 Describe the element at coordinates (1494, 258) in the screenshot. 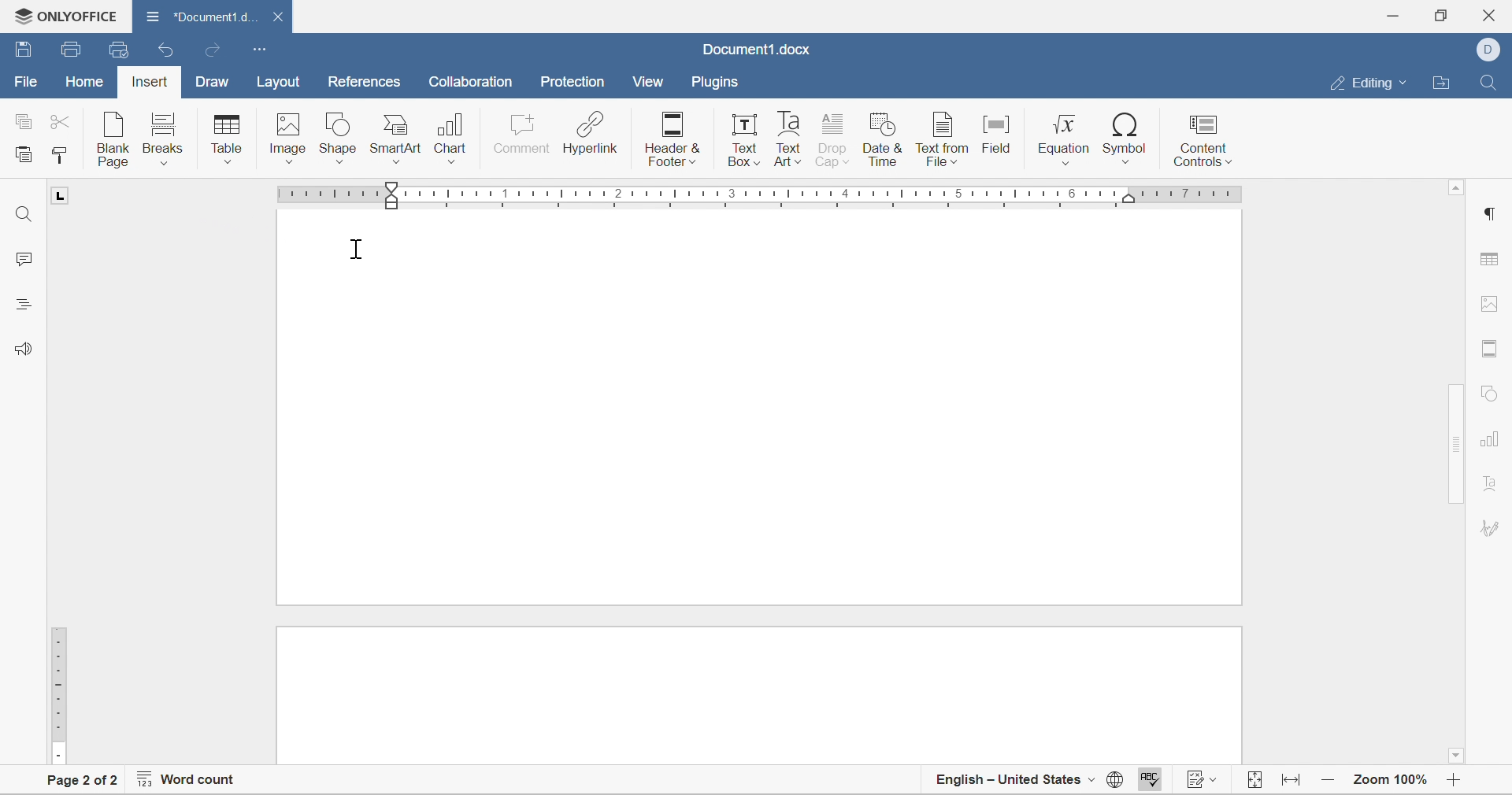

I see `Table settings` at that location.